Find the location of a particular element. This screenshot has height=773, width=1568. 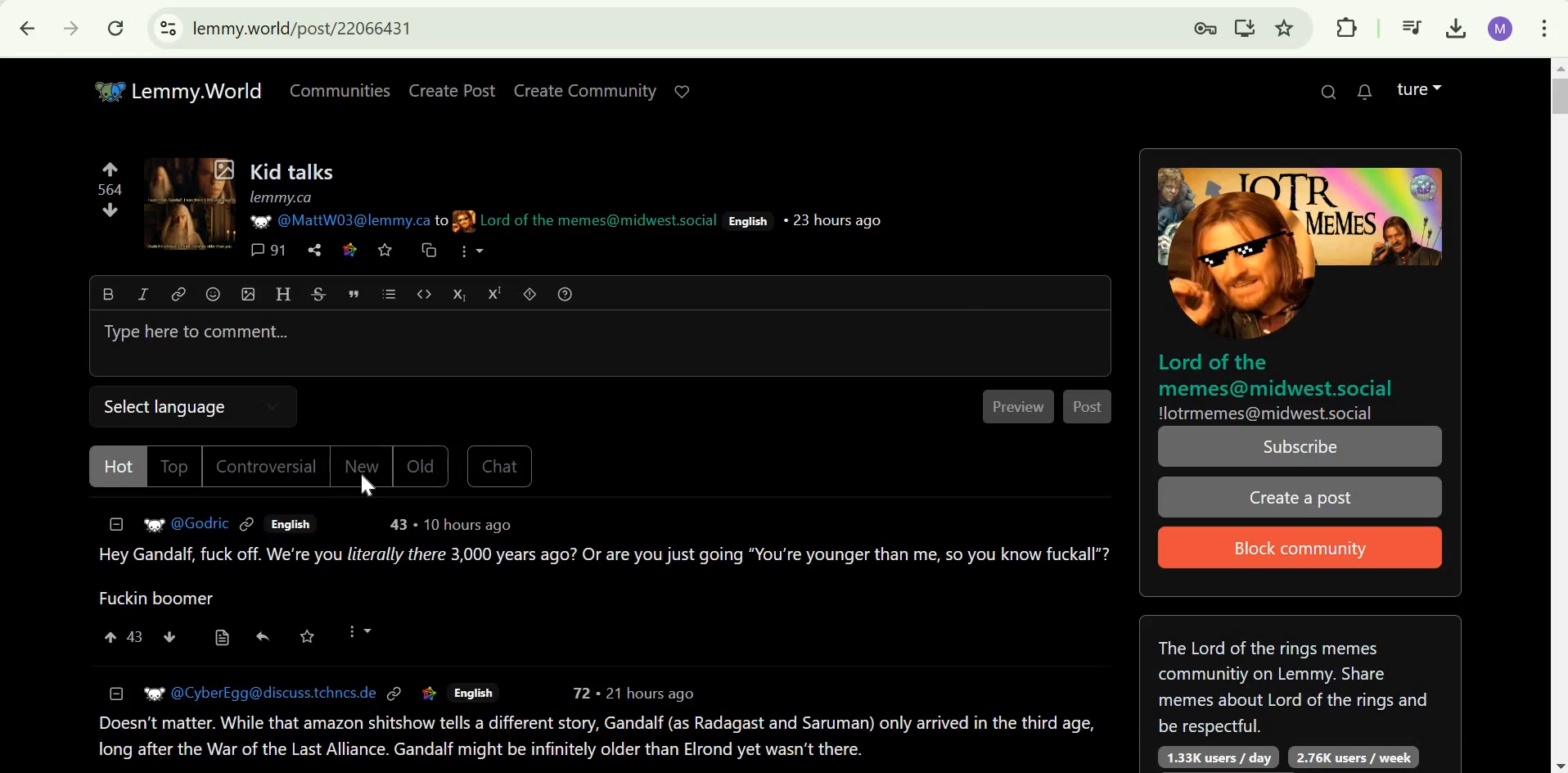

Type here to comment... is located at coordinates (198, 332).